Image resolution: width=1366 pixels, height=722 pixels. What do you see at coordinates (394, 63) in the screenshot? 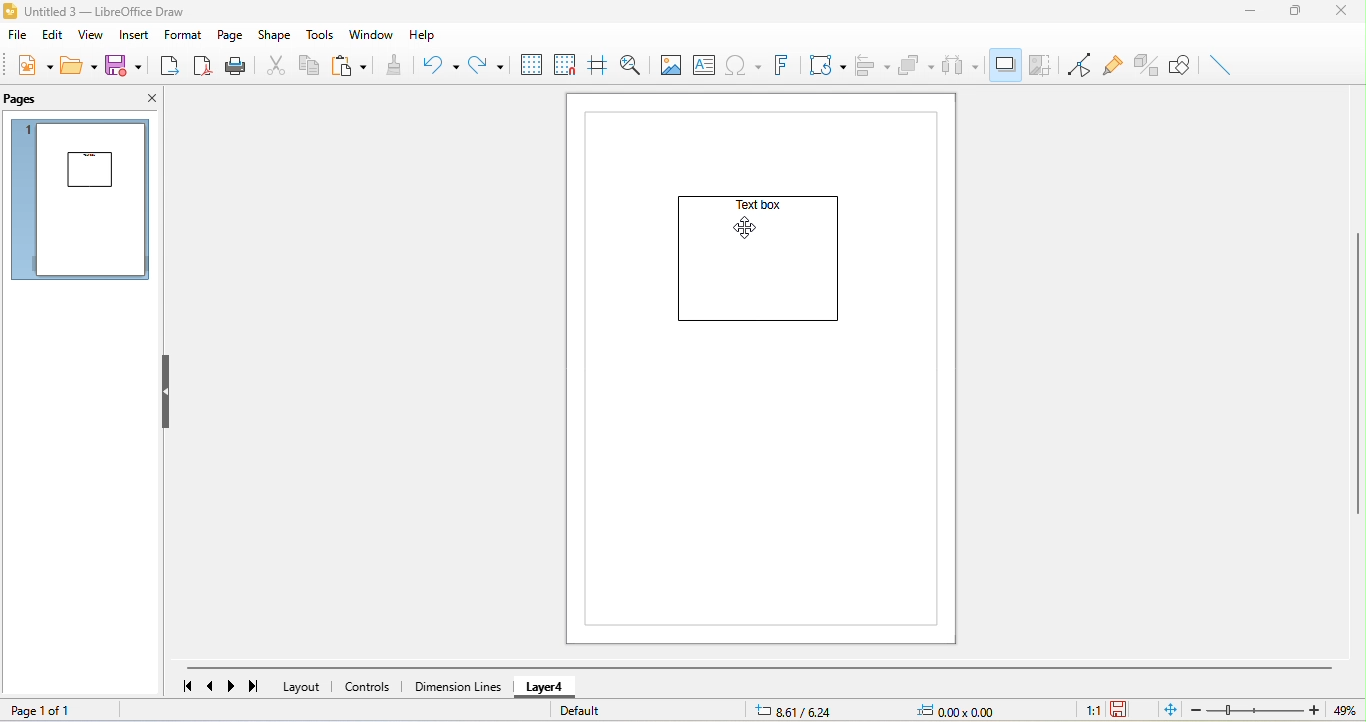
I see `clone formatting` at bounding box center [394, 63].